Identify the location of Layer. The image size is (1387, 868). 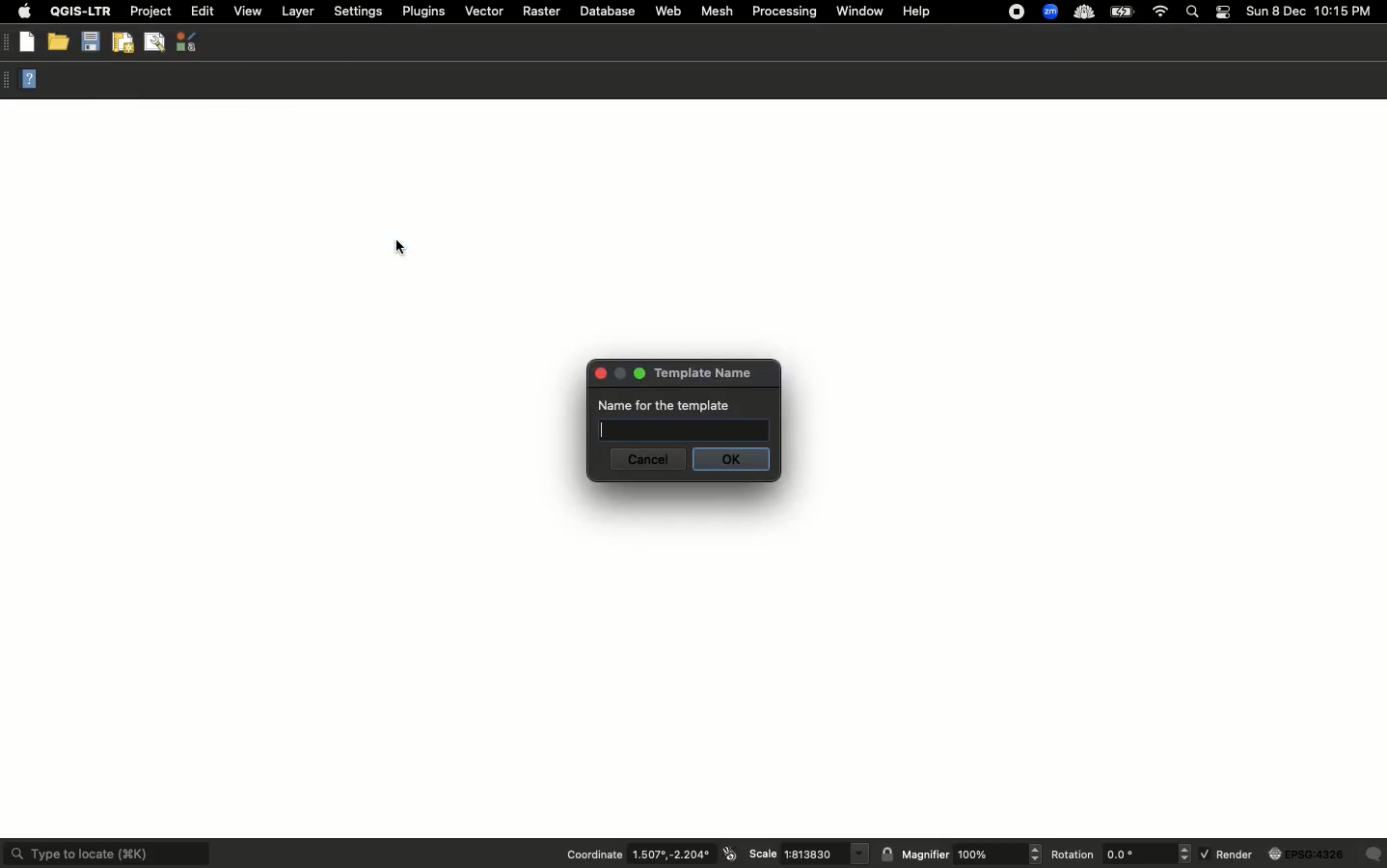
(297, 12).